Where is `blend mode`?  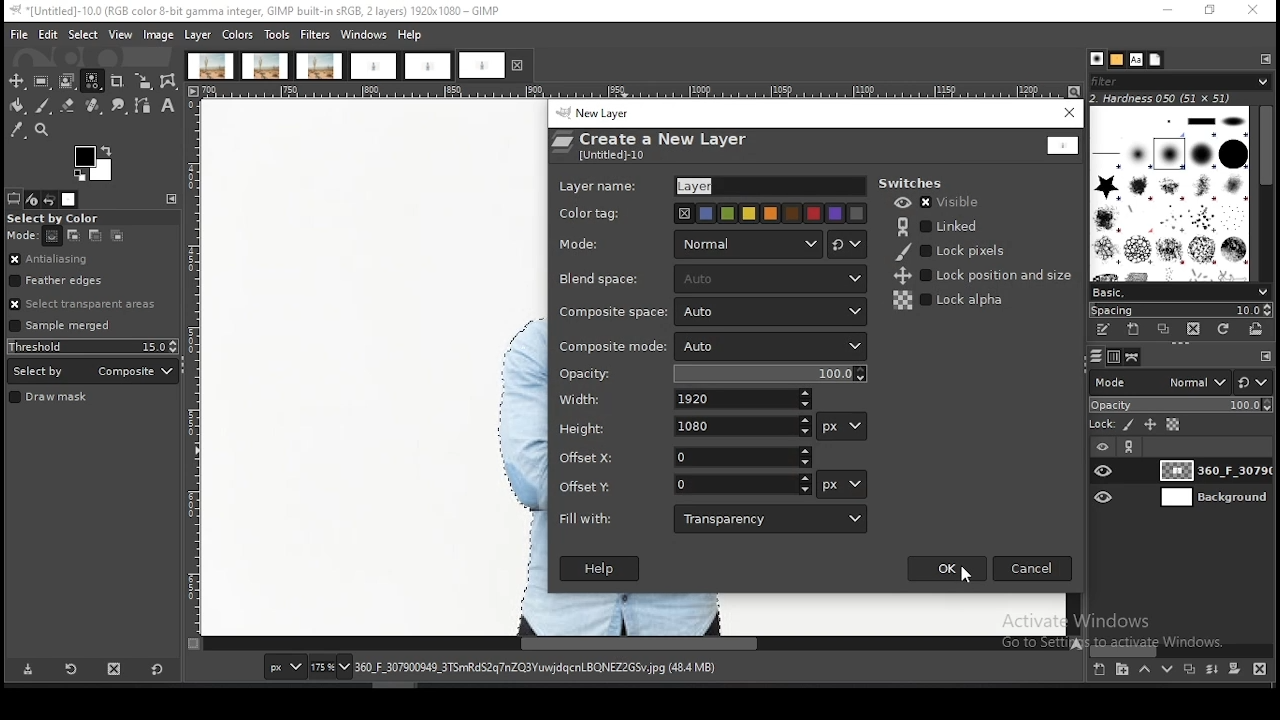
blend mode is located at coordinates (1159, 382).